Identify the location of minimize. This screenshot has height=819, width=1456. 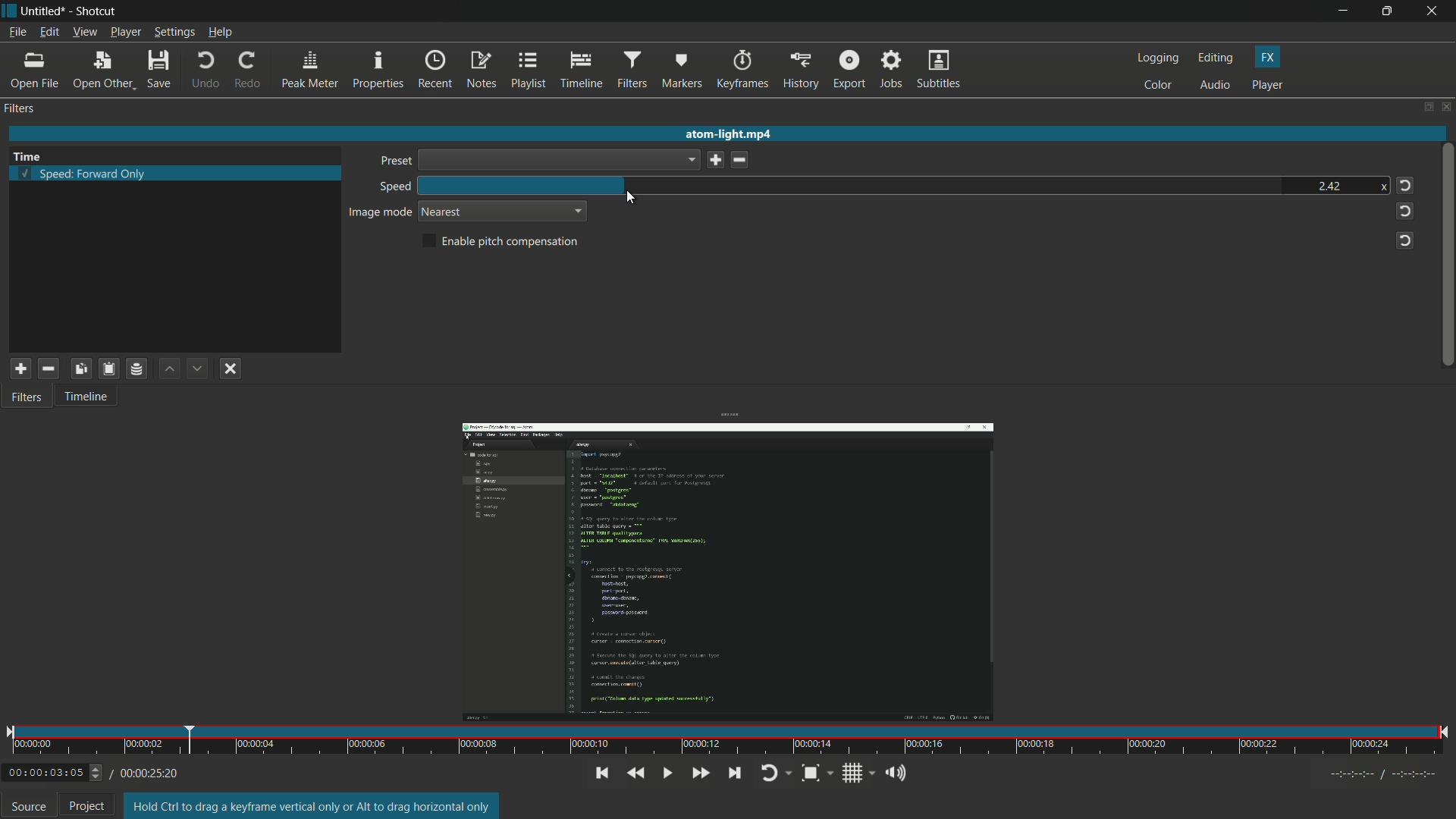
(1341, 11).